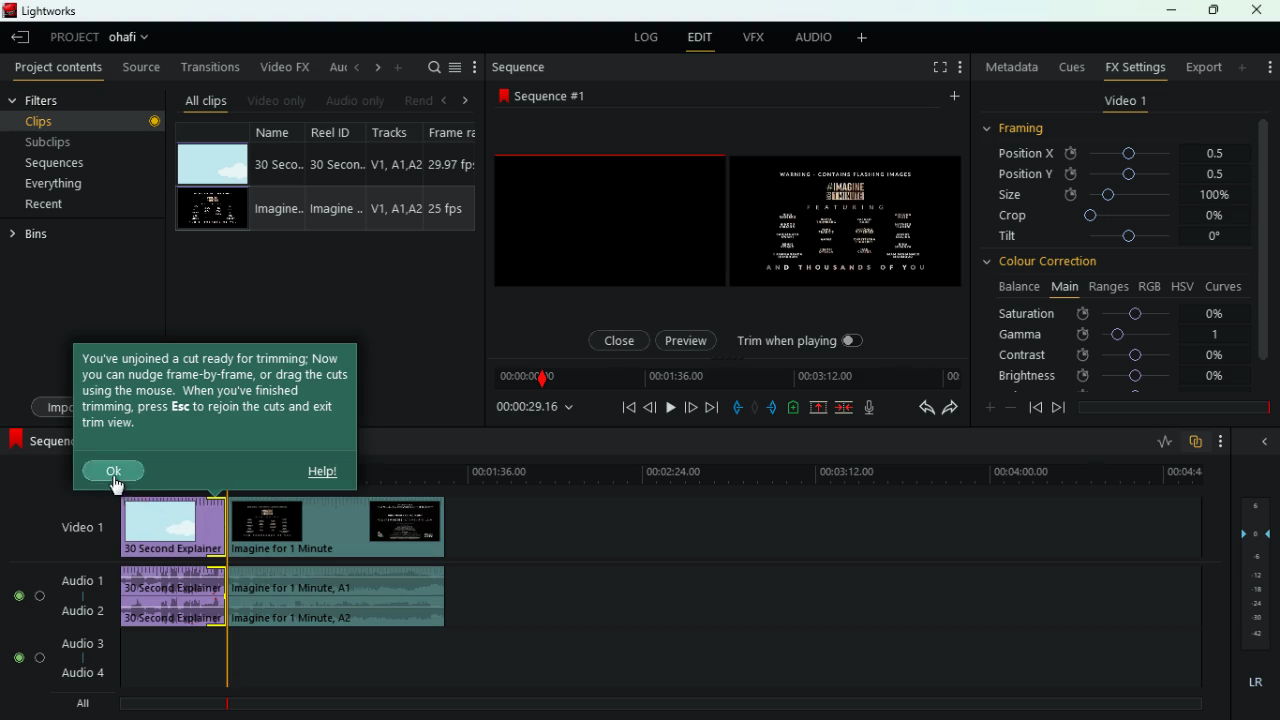 Image resolution: width=1280 pixels, height=720 pixels. What do you see at coordinates (119, 488) in the screenshot?
I see `cursor` at bounding box center [119, 488].